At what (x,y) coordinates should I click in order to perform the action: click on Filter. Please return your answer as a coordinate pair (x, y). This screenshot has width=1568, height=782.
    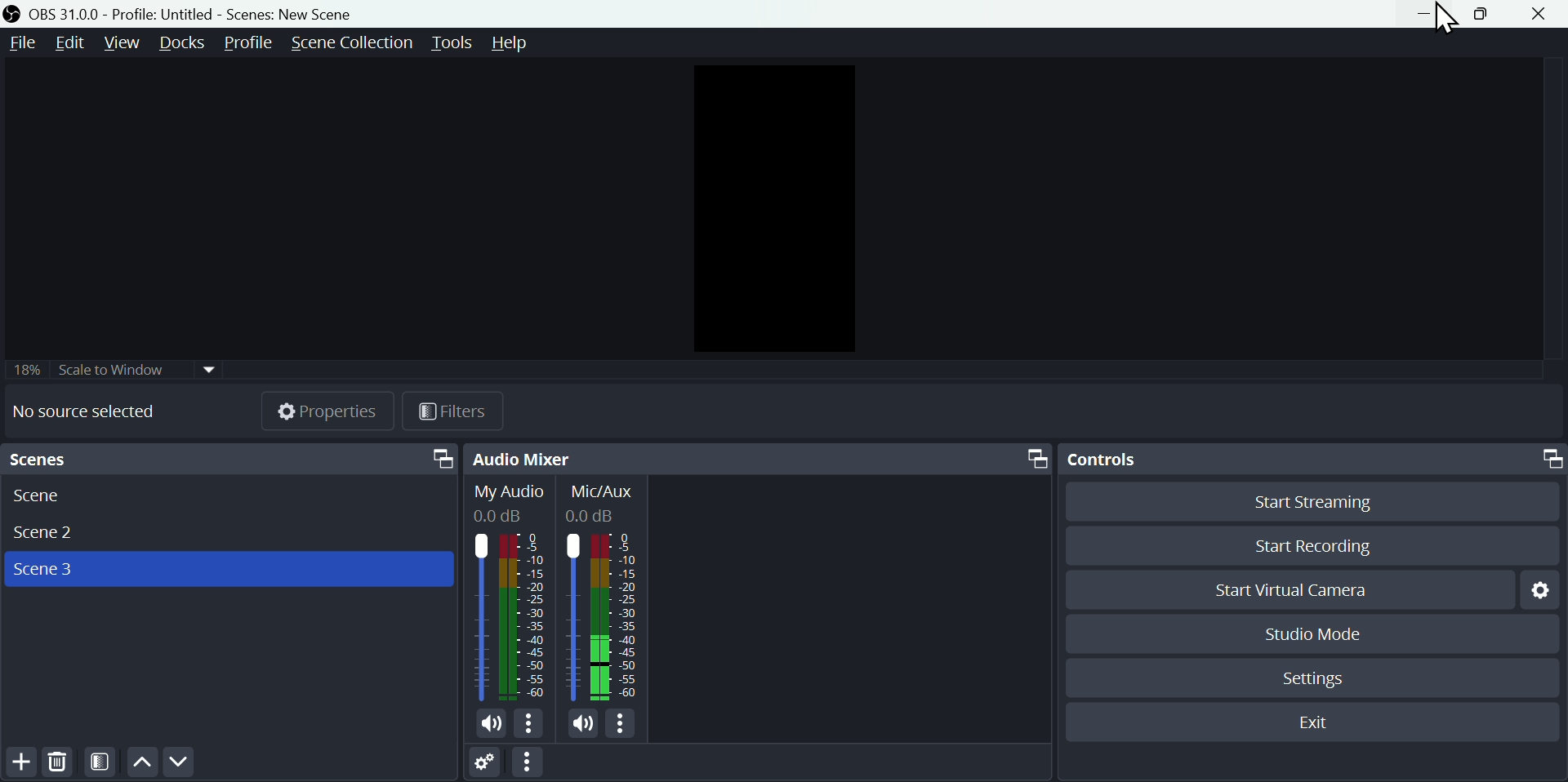
    Looking at the image, I should click on (458, 410).